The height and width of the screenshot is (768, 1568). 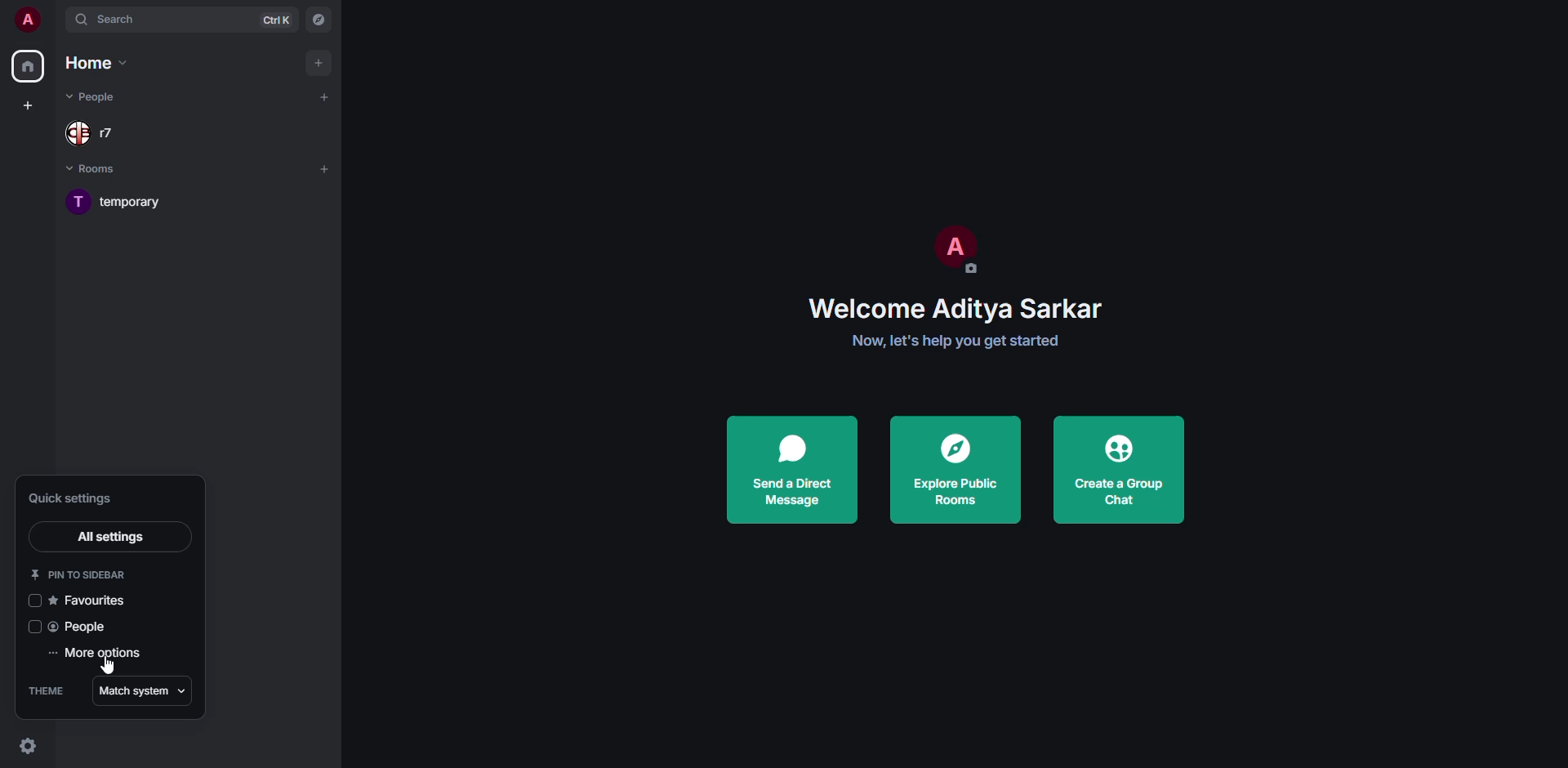 I want to click on expand, so click(x=54, y=20).